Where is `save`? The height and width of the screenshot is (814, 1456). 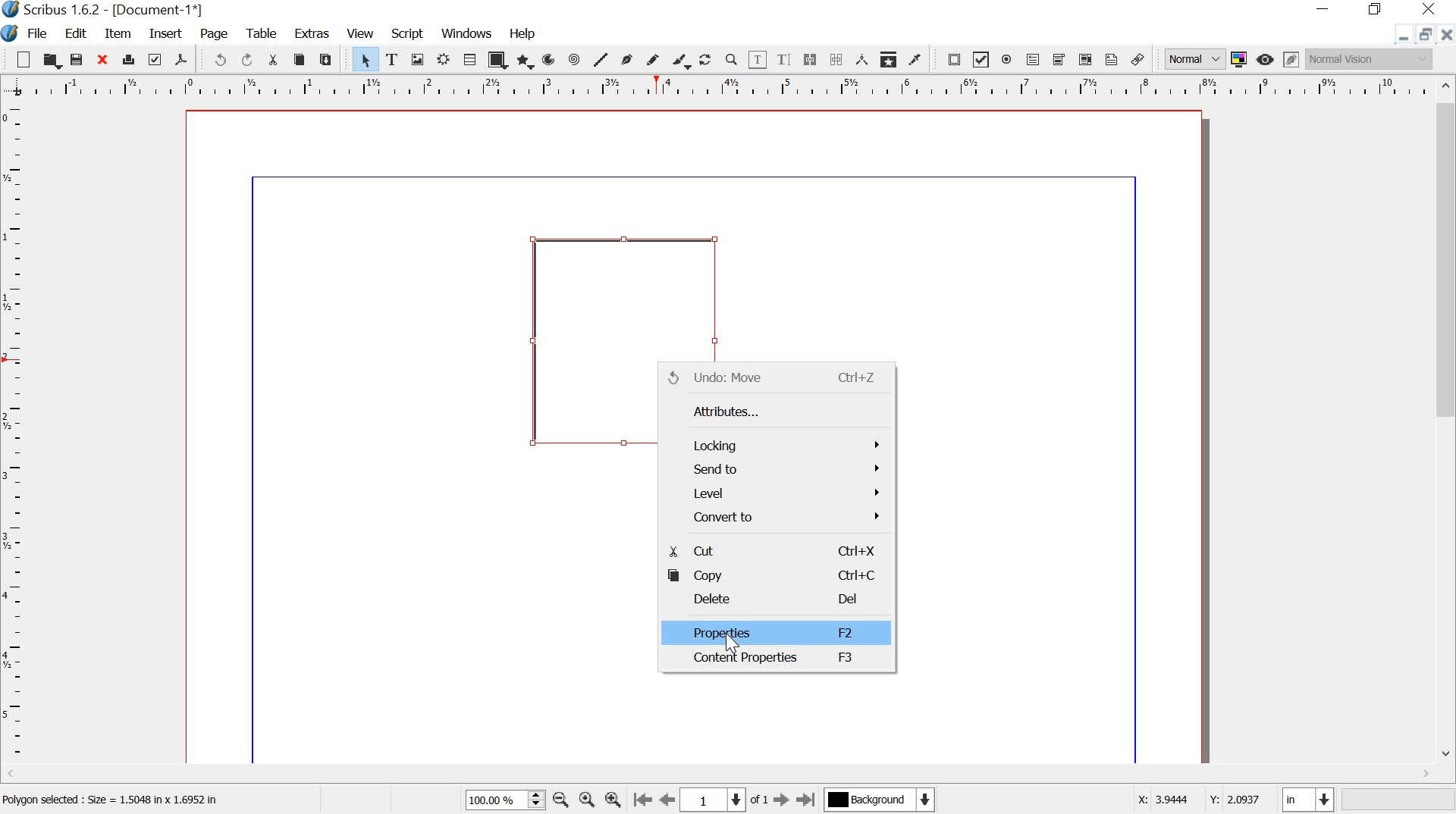
save is located at coordinates (77, 60).